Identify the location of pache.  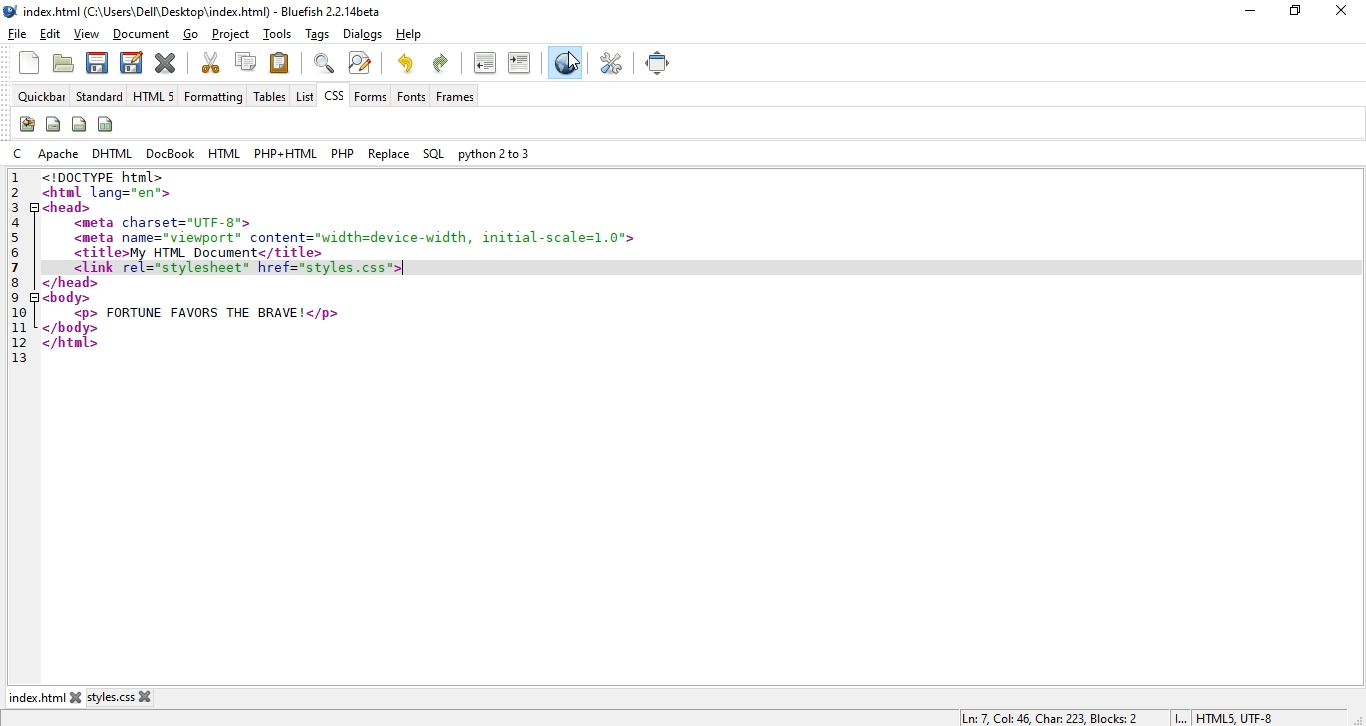
(59, 153).